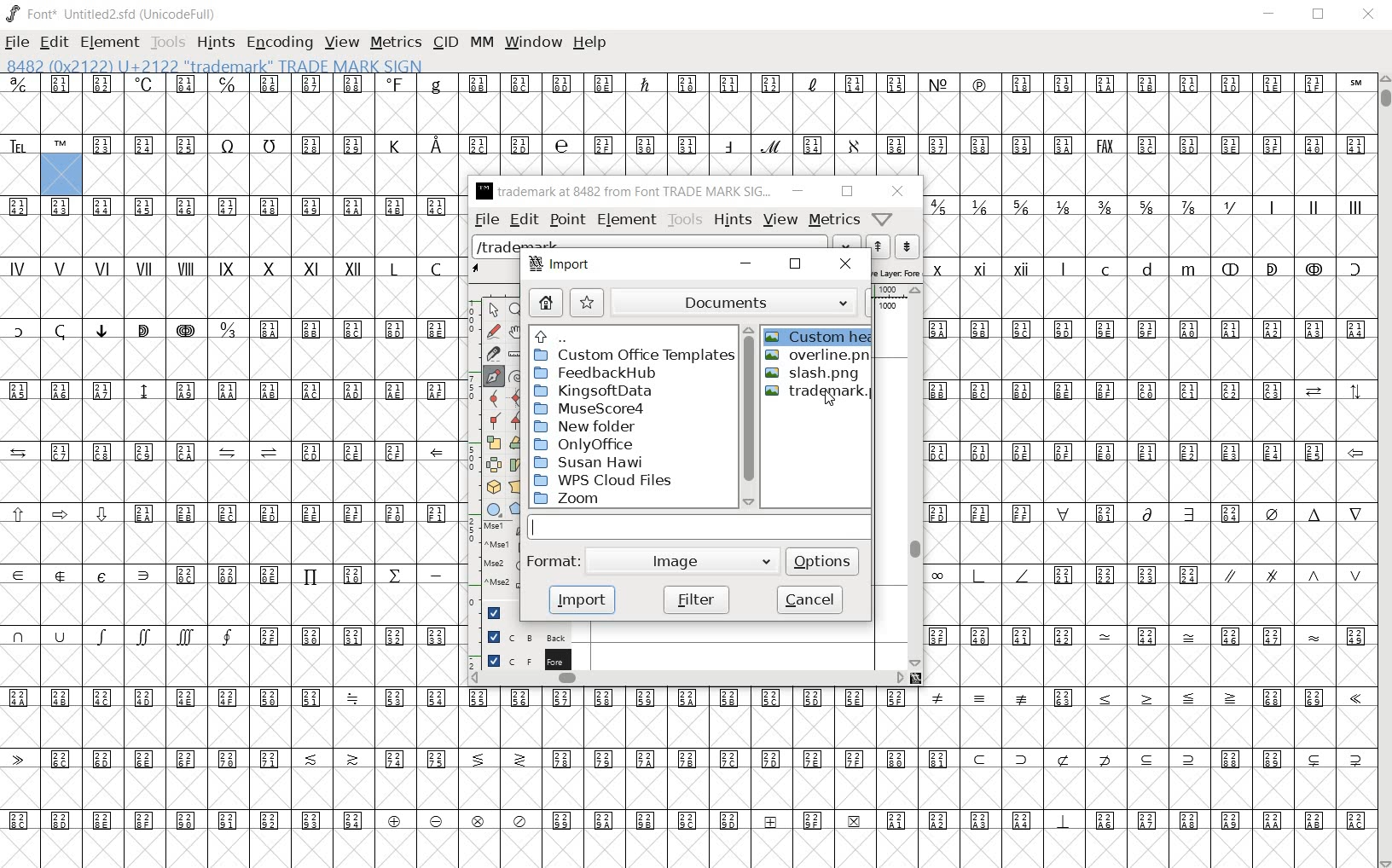  What do you see at coordinates (234, 225) in the screenshot?
I see `symbol` at bounding box center [234, 225].